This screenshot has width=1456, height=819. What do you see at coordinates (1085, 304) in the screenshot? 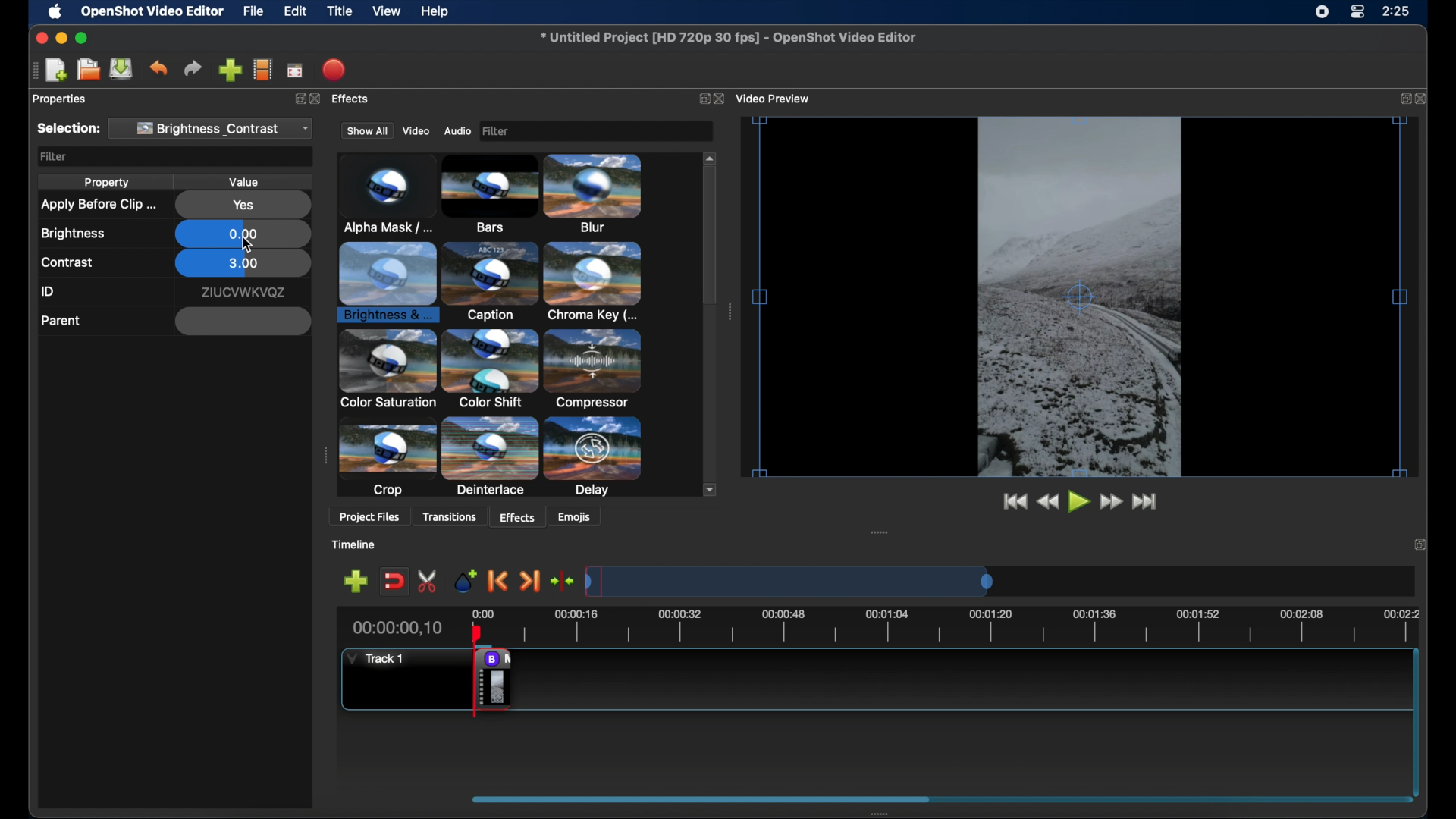
I see `video preview` at bounding box center [1085, 304].